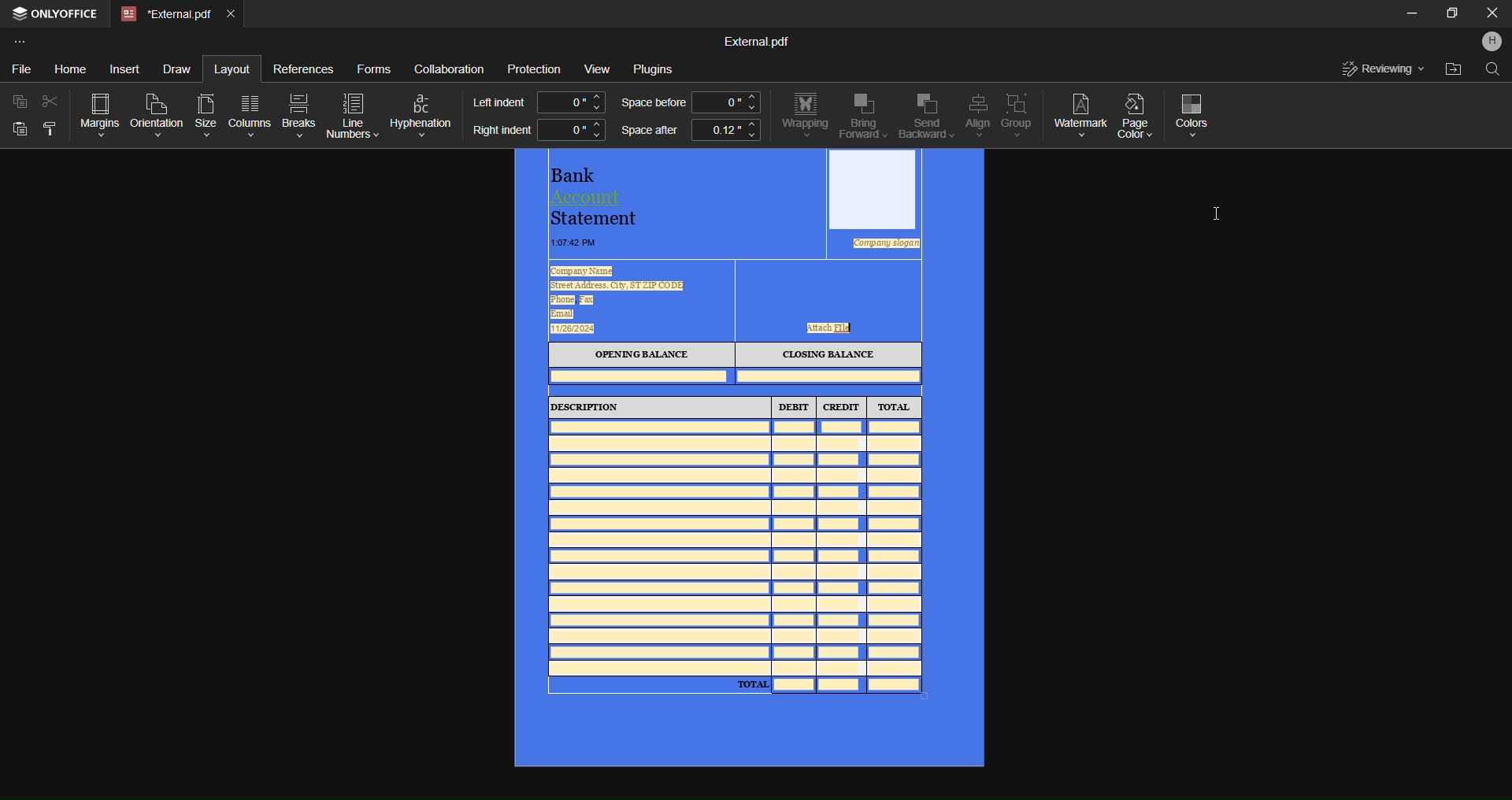 The width and height of the screenshot is (1512, 800). Describe the element at coordinates (205, 113) in the screenshot. I see `Size` at that location.